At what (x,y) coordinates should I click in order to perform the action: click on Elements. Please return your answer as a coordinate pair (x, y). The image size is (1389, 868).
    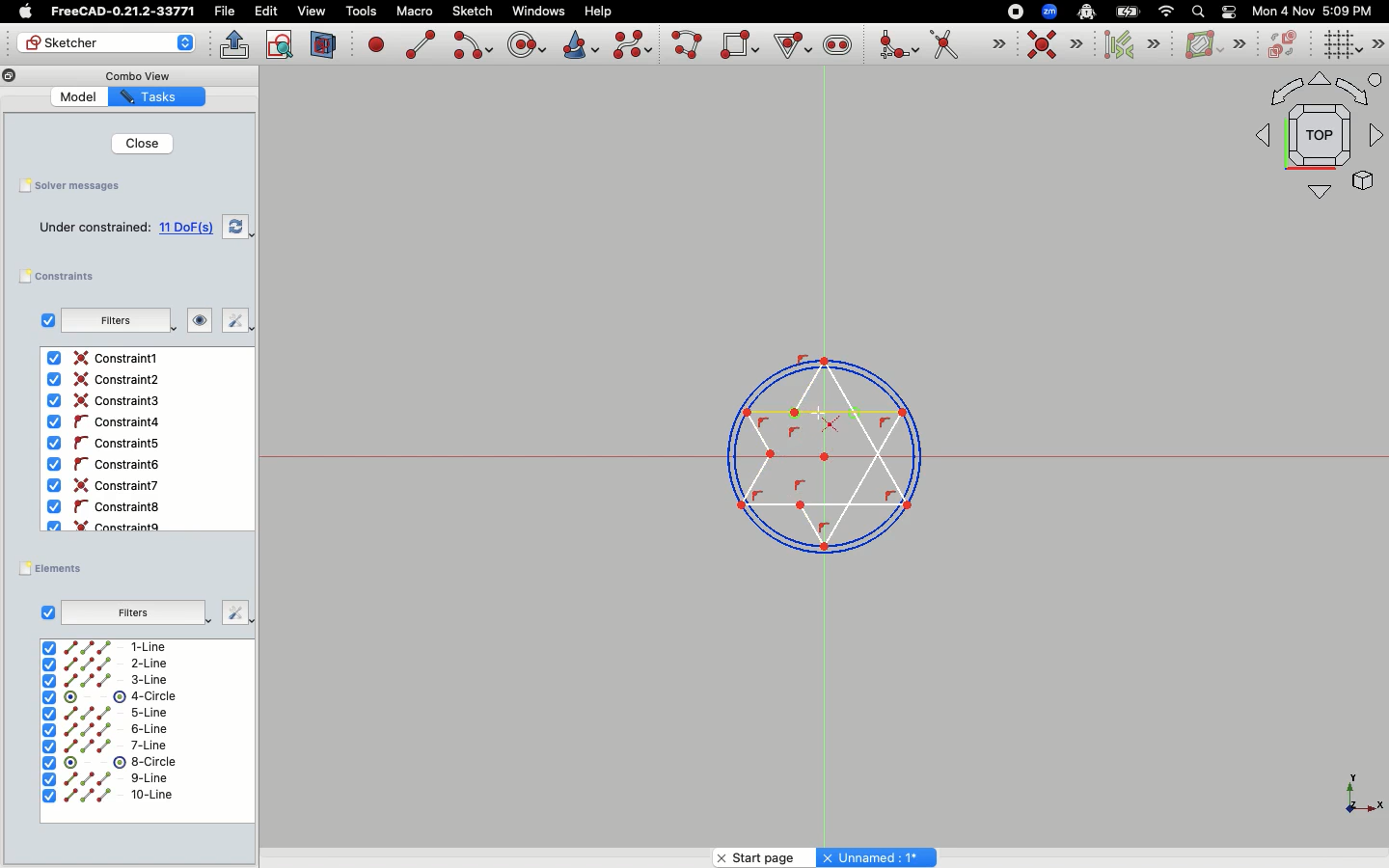
    Looking at the image, I should click on (56, 568).